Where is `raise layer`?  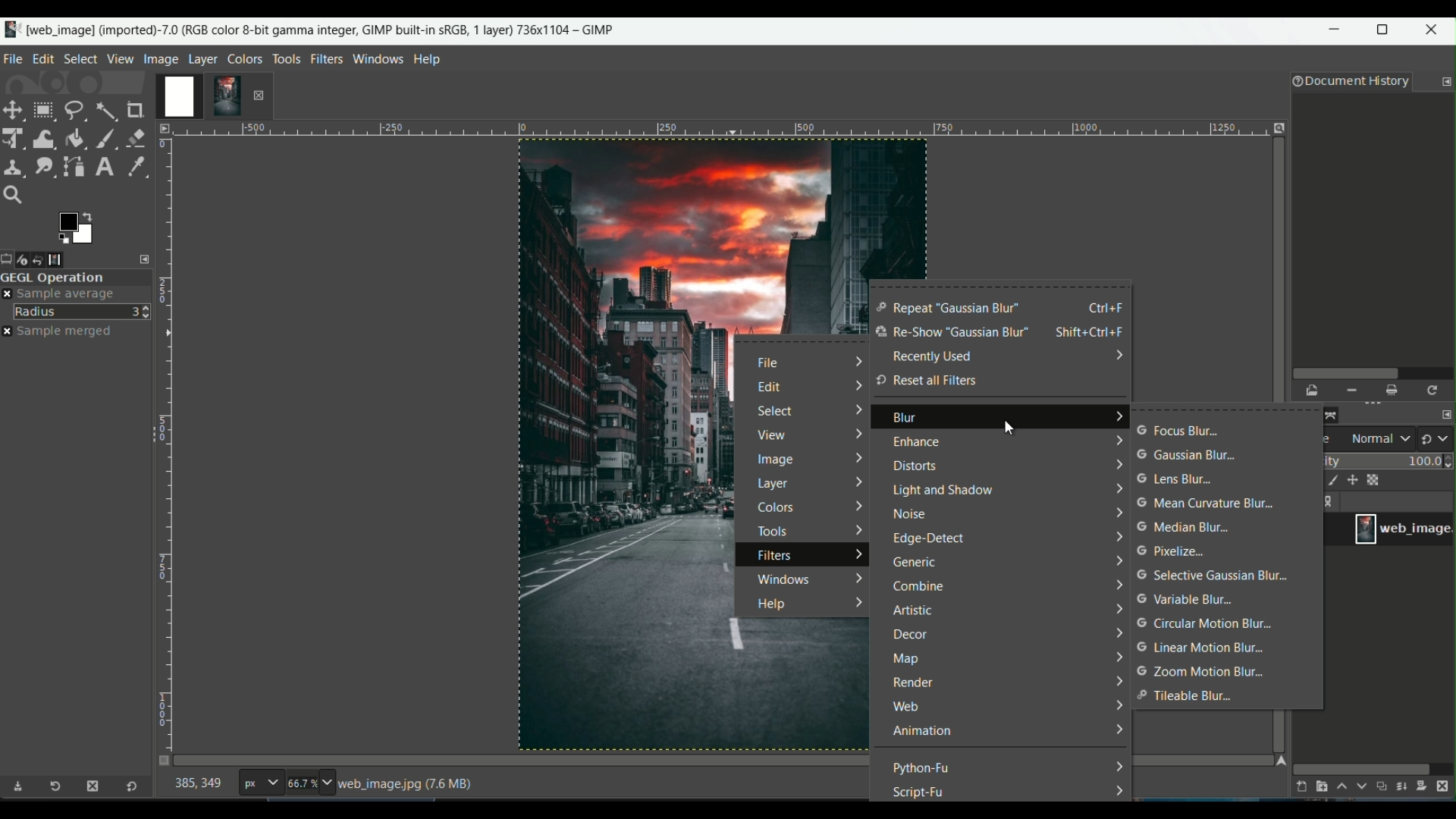
raise layer is located at coordinates (1340, 789).